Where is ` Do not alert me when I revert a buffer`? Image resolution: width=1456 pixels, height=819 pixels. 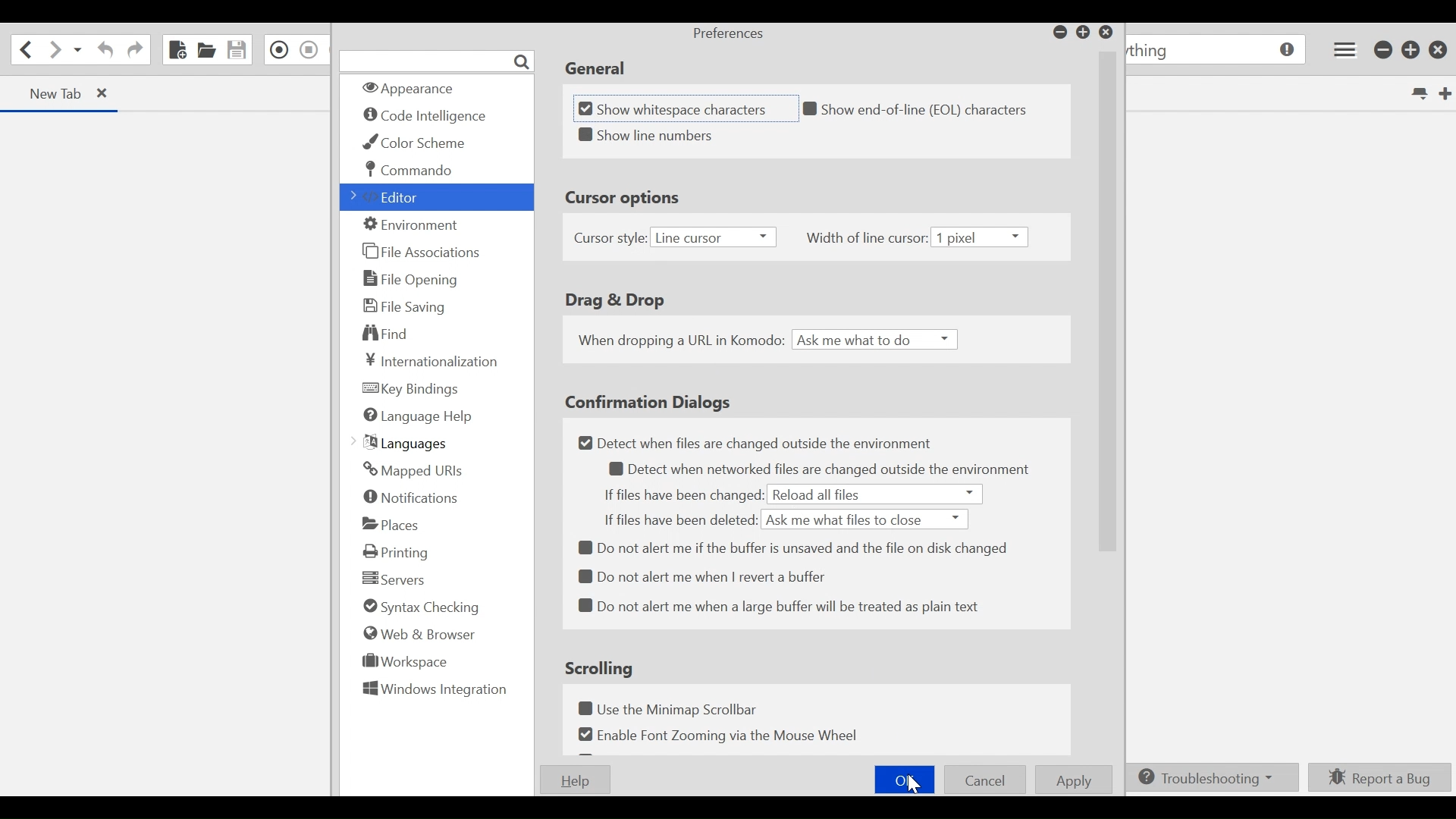  Do not alert me when I revert a buffer is located at coordinates (714, 579).